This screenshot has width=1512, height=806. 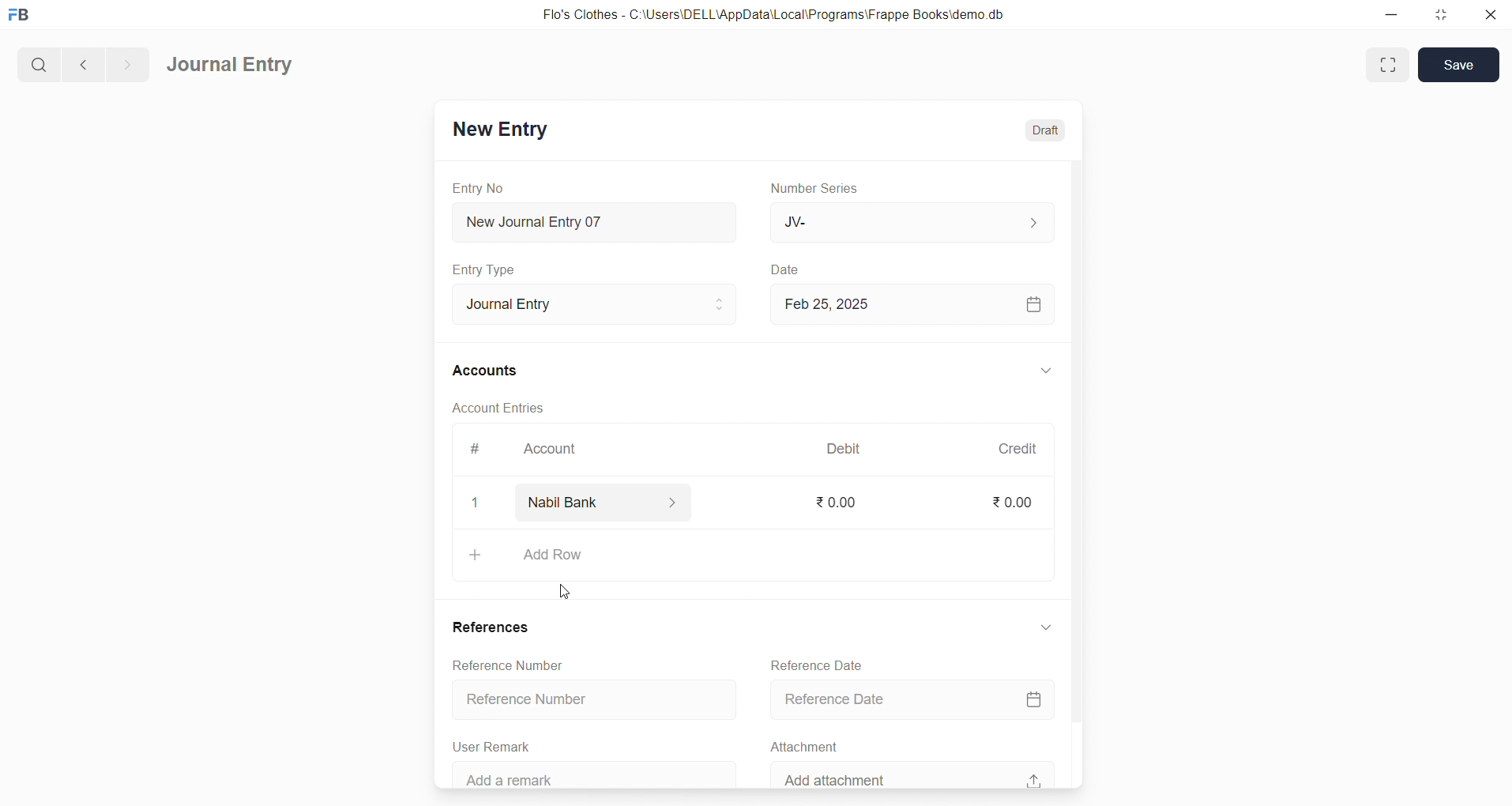 I want to click on resize, so click(x=1439, y=16).